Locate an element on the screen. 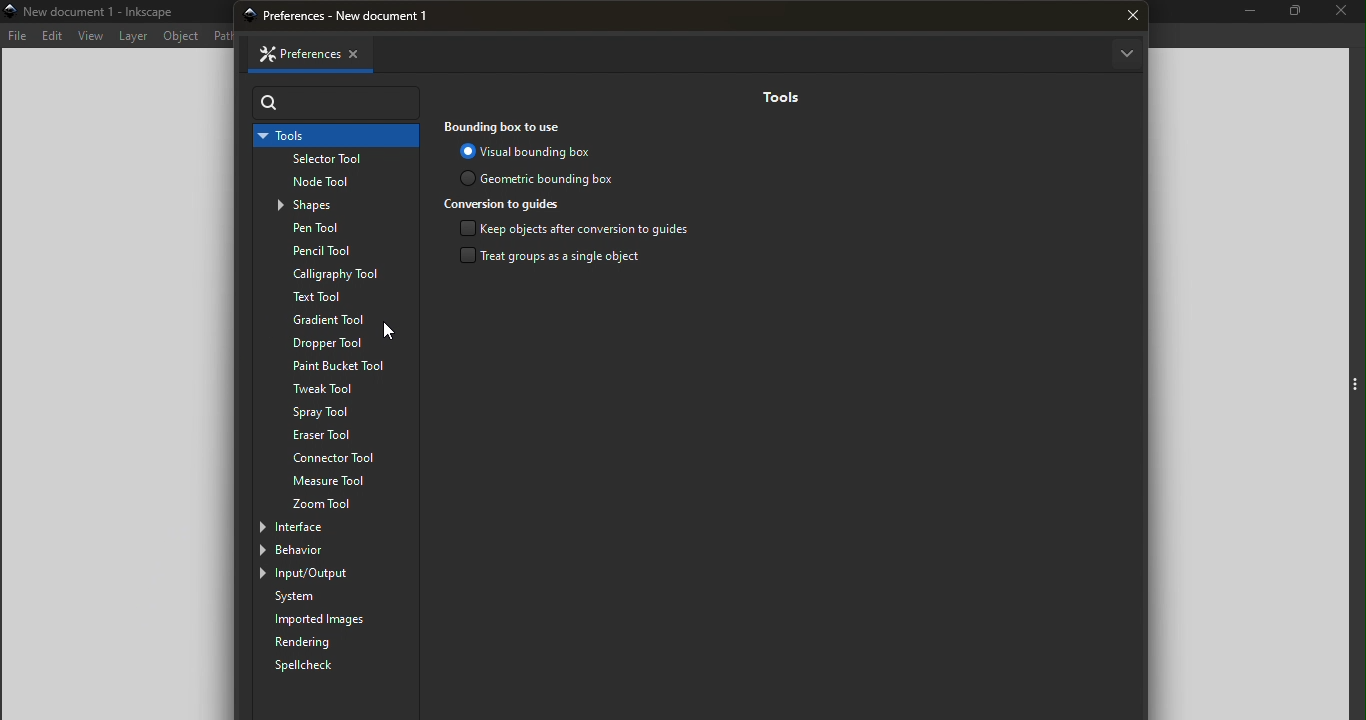 The width and height of the screenshot is (1366, 720). Text tool is located at coordinates (330, 297).